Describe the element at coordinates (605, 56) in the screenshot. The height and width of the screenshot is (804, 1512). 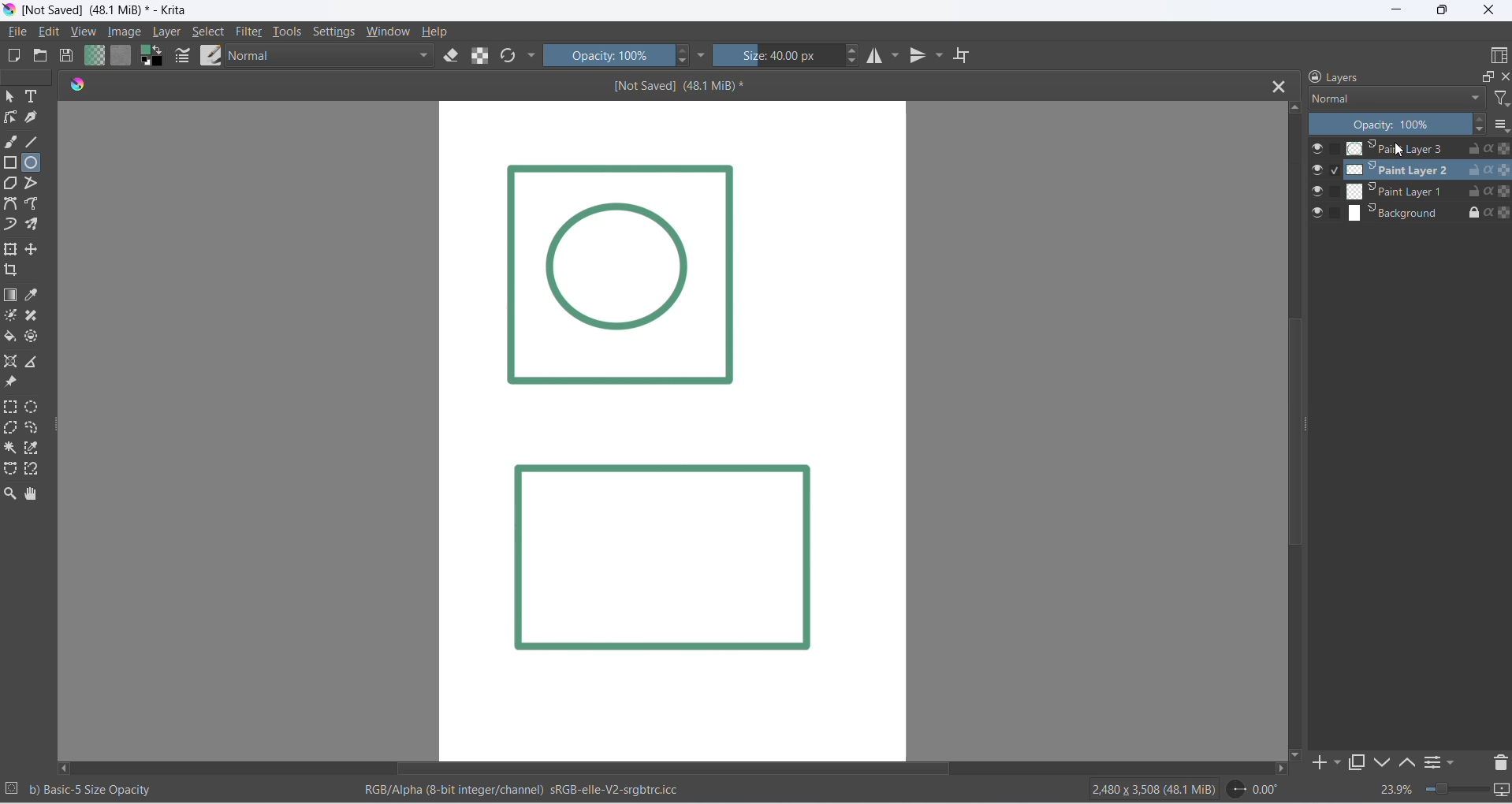
I see `opacity` at that location.